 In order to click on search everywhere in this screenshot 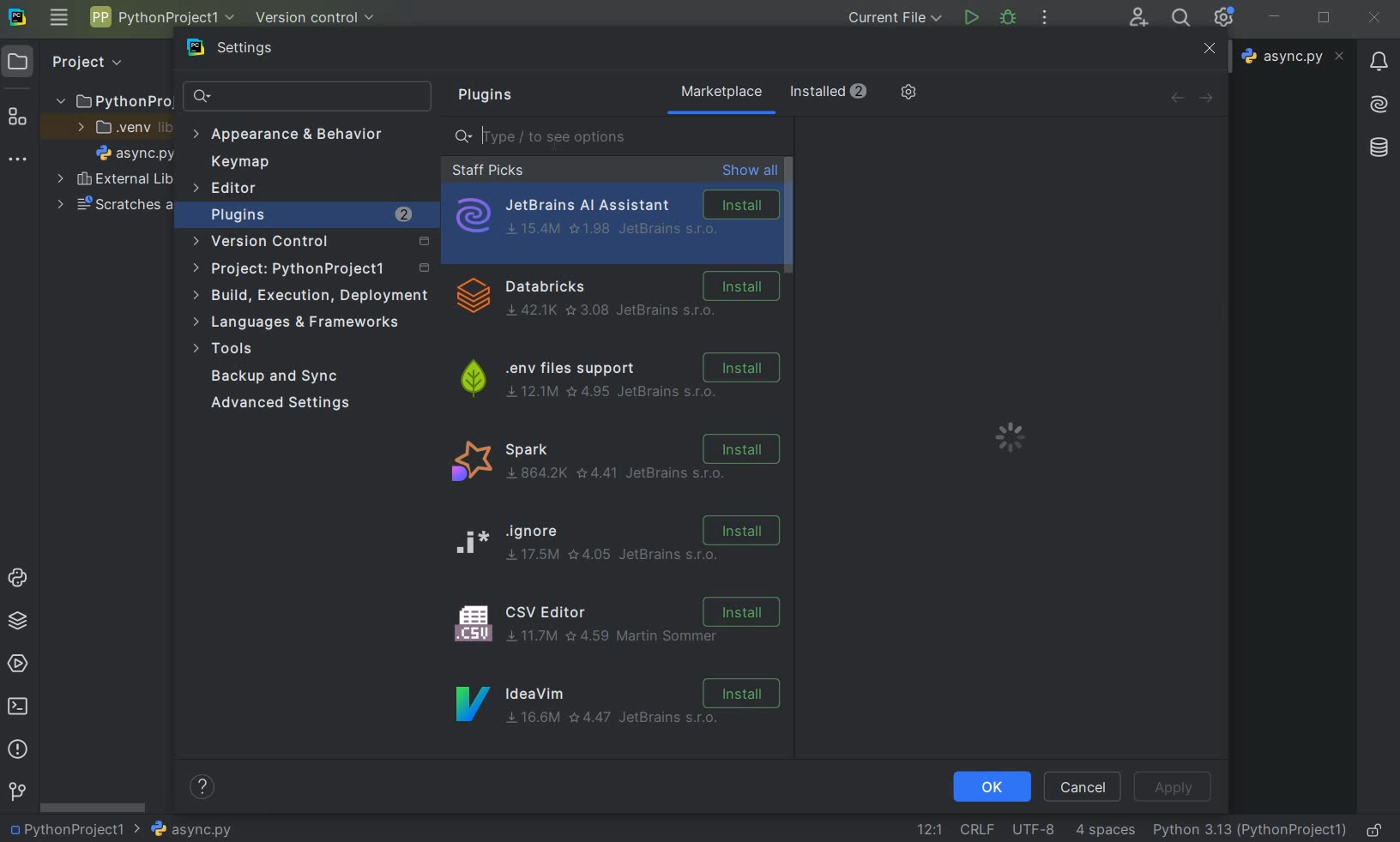, I will do `click(1182, 17)`.